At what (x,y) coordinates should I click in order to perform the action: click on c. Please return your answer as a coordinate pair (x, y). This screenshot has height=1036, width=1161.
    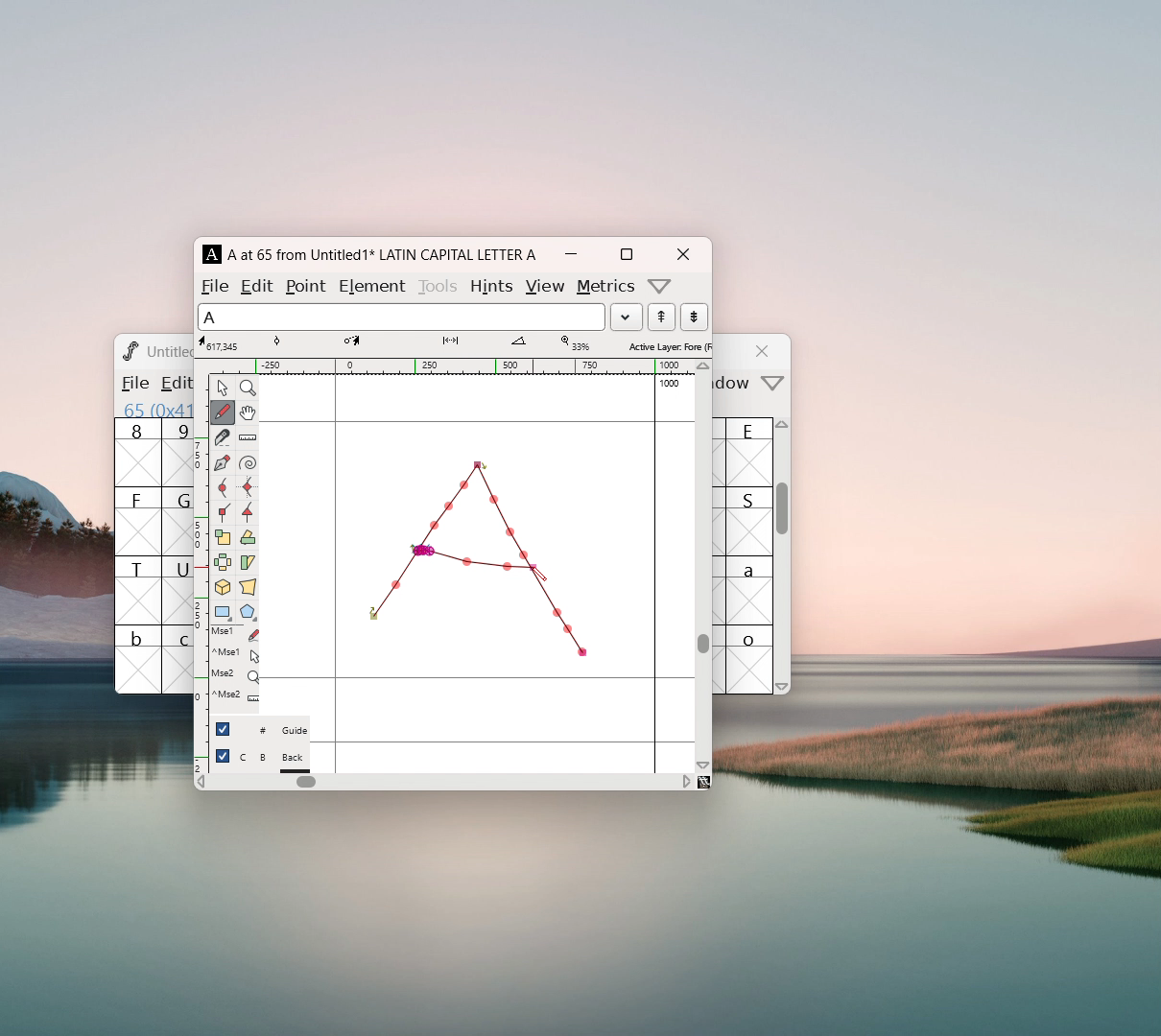
    Looking at the image, I should click on (178, 660).